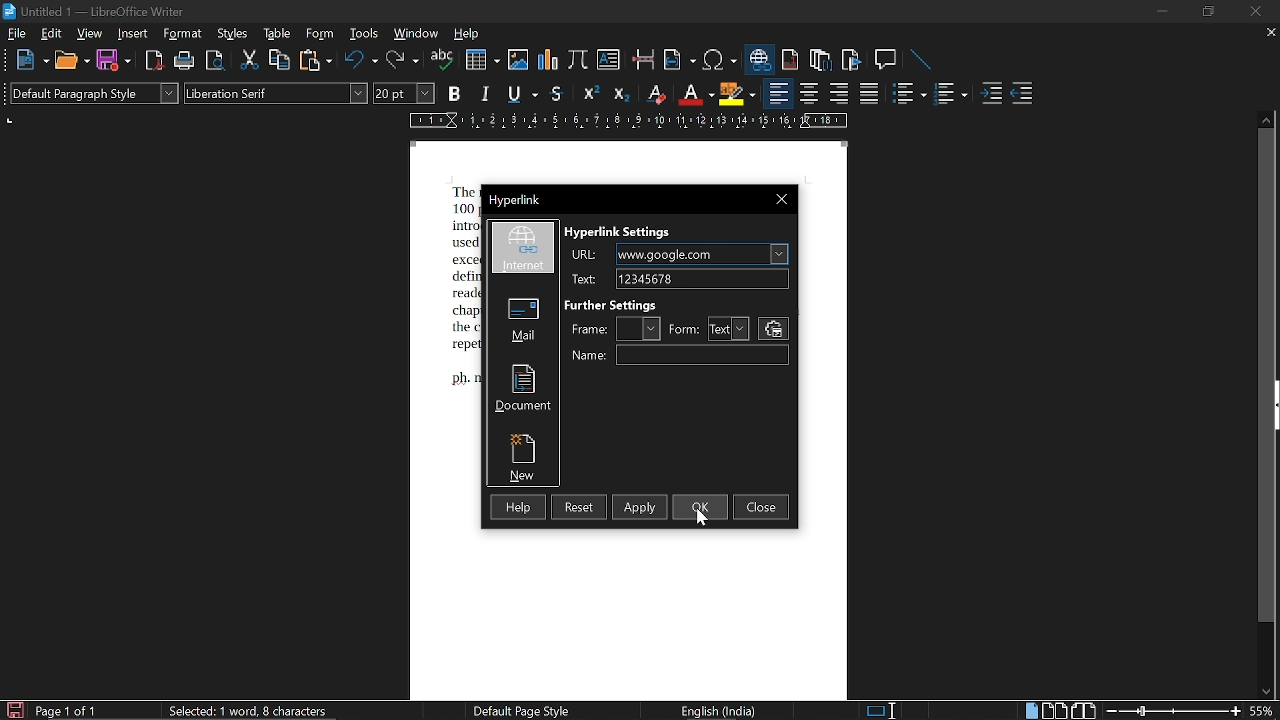  Describe the element at coordinates (486, 94) in the screenshot. I see `italic` at that location.